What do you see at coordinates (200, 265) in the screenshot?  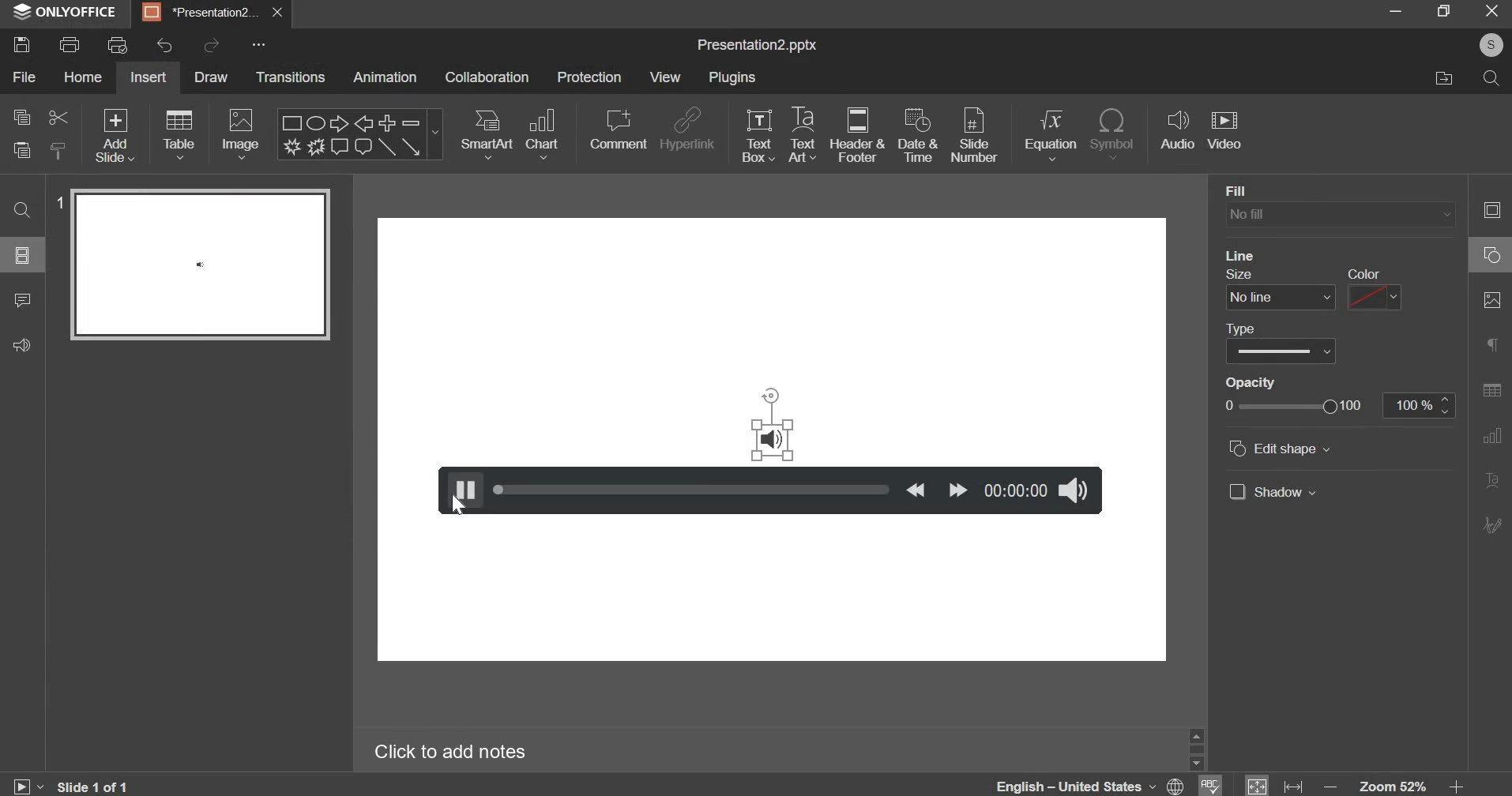 I see `slide 1 preview` at bounding box center [200, 265].